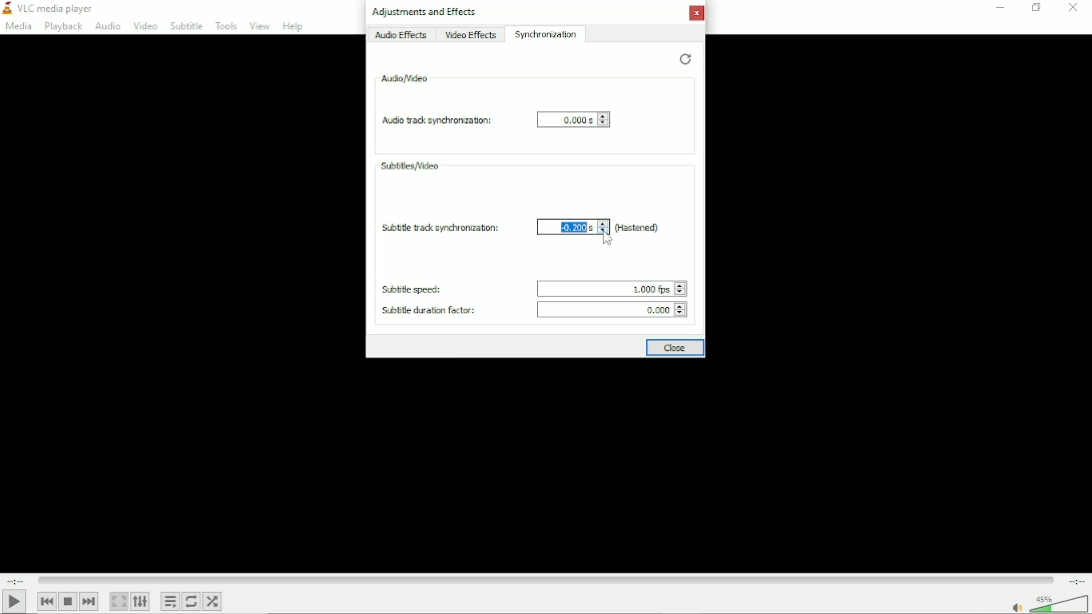 The height and width of the screenshot is (614, 1092). What do you see at coordinates (170, 602) in the screenshot?
I see `Toggle playlist` at bounding box center [170, 602].